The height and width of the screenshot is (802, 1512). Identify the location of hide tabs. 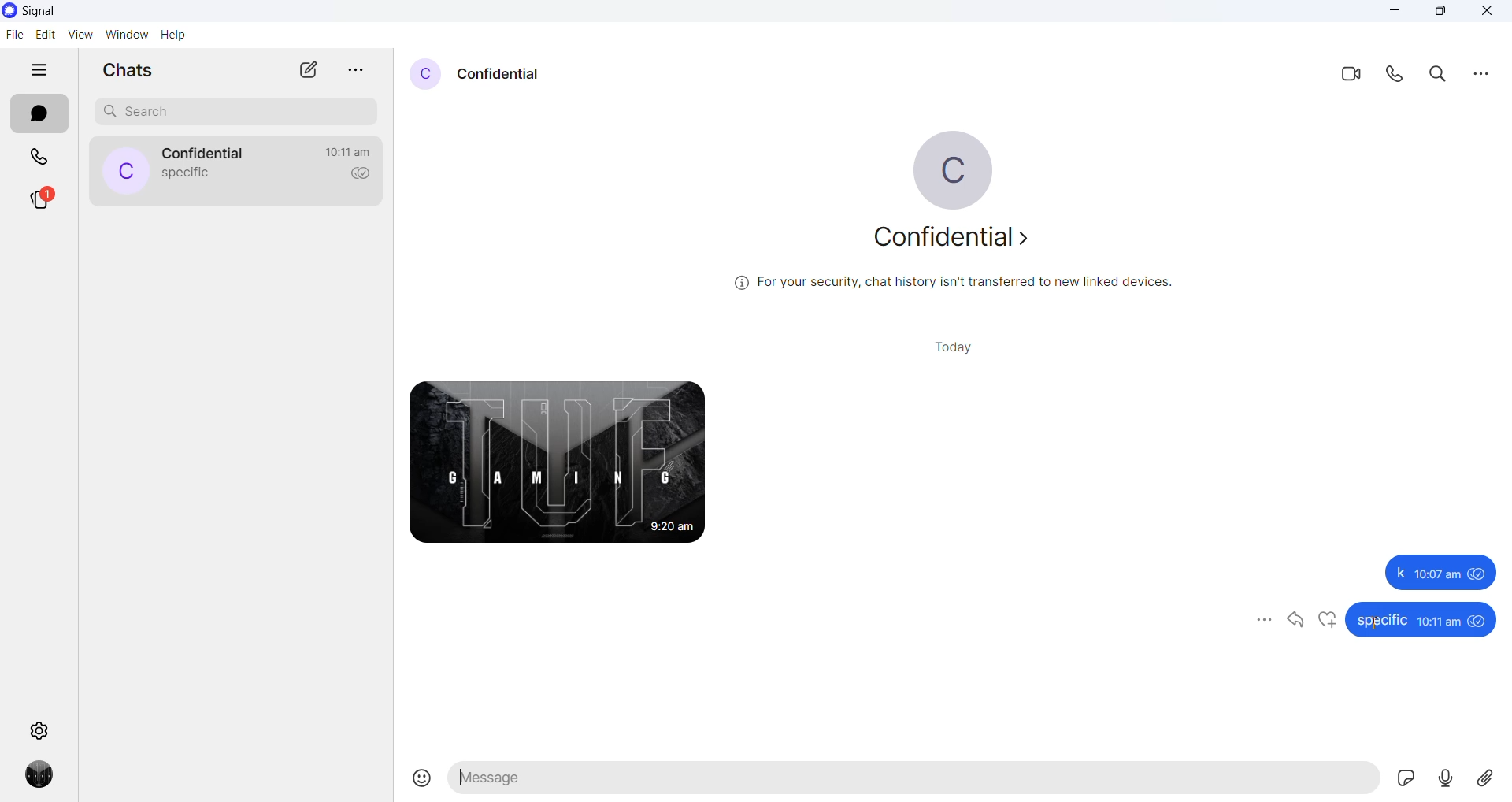
(39, 71).